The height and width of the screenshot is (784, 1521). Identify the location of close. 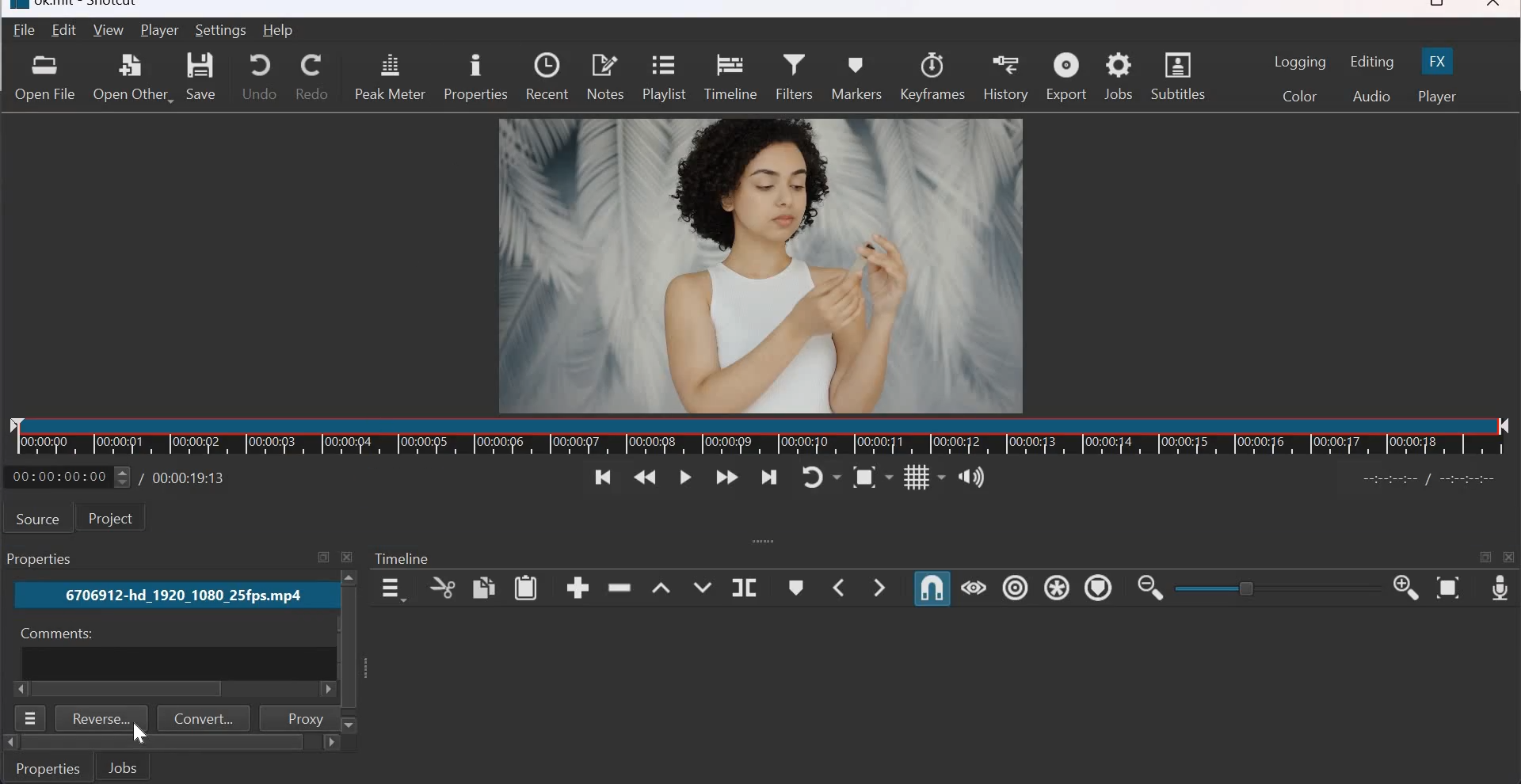
(1494, 6).